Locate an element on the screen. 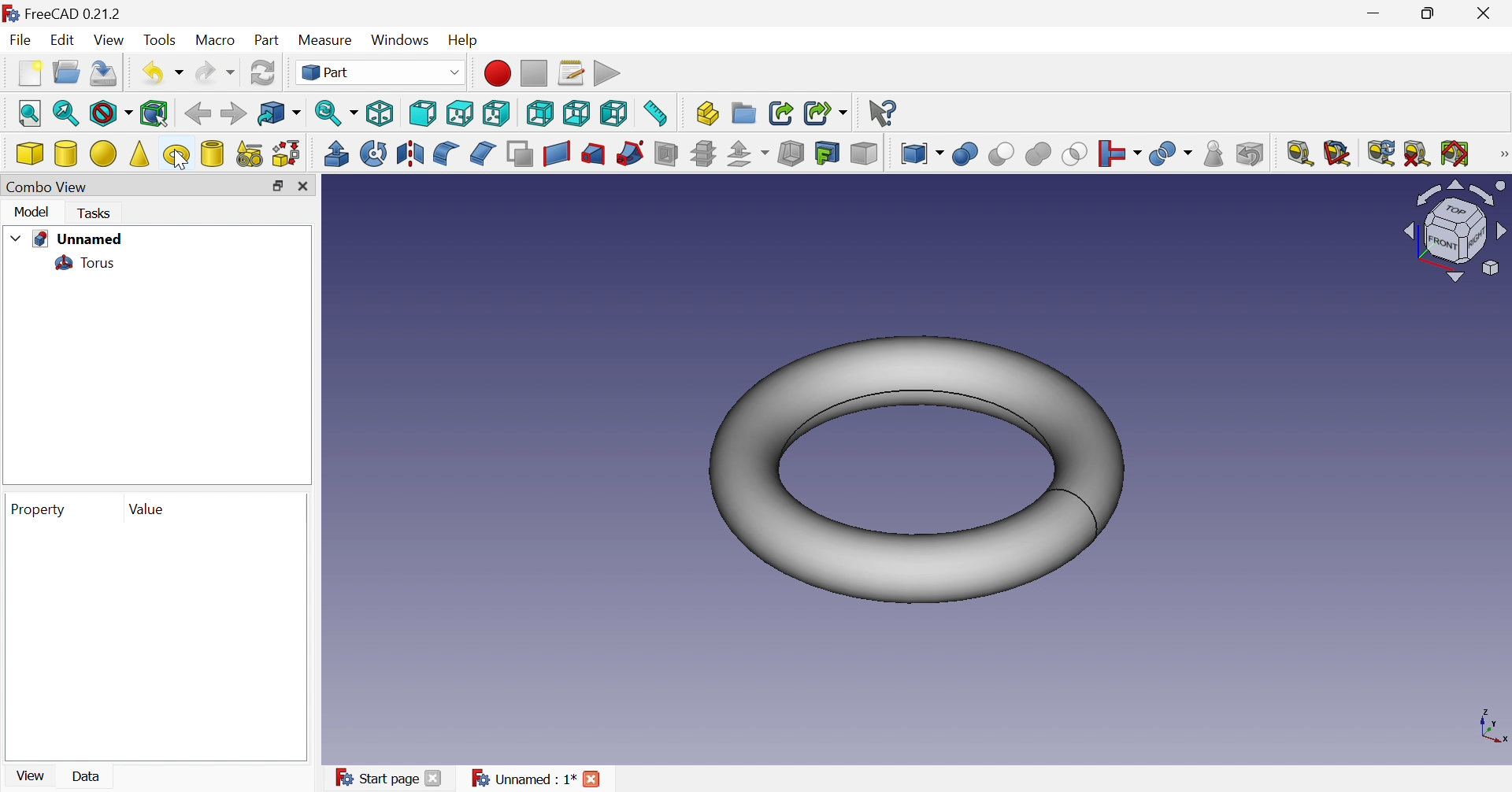  Top is located at coordinates (499, 113).